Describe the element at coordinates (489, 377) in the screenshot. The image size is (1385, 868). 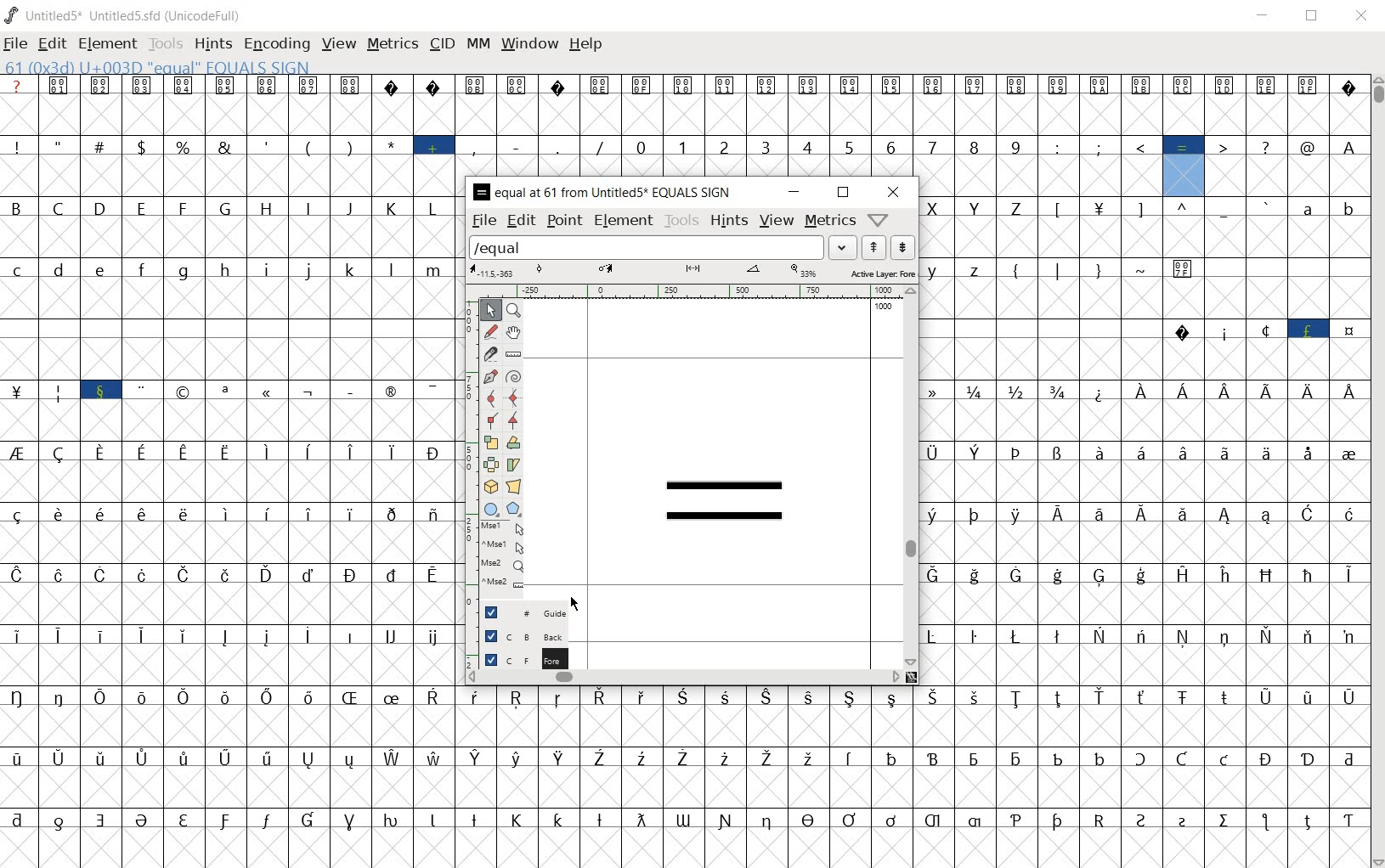
I see `add a point, then drag out its control points` at that location.